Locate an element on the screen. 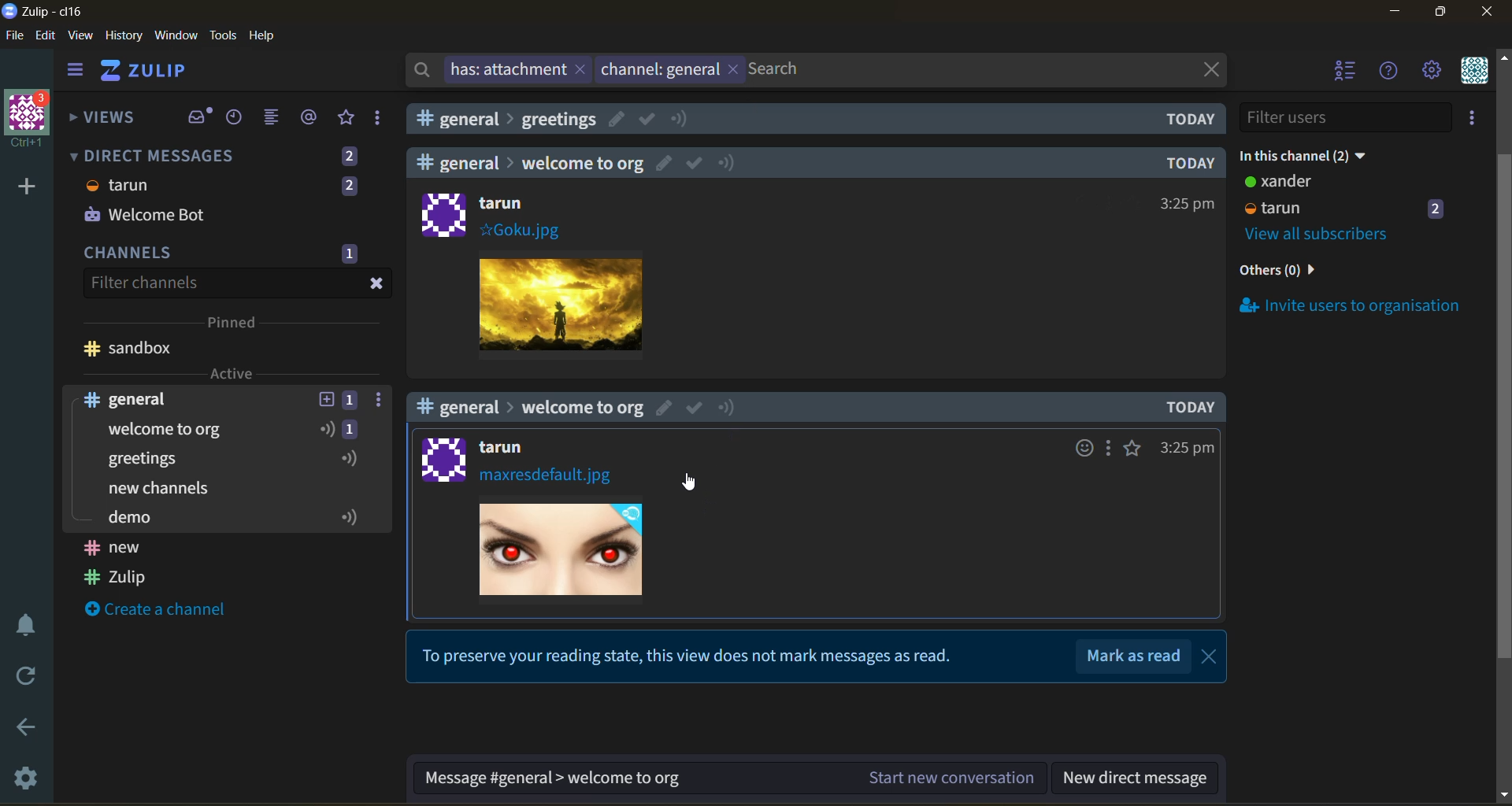  1 is located at coordinates (349, 253).